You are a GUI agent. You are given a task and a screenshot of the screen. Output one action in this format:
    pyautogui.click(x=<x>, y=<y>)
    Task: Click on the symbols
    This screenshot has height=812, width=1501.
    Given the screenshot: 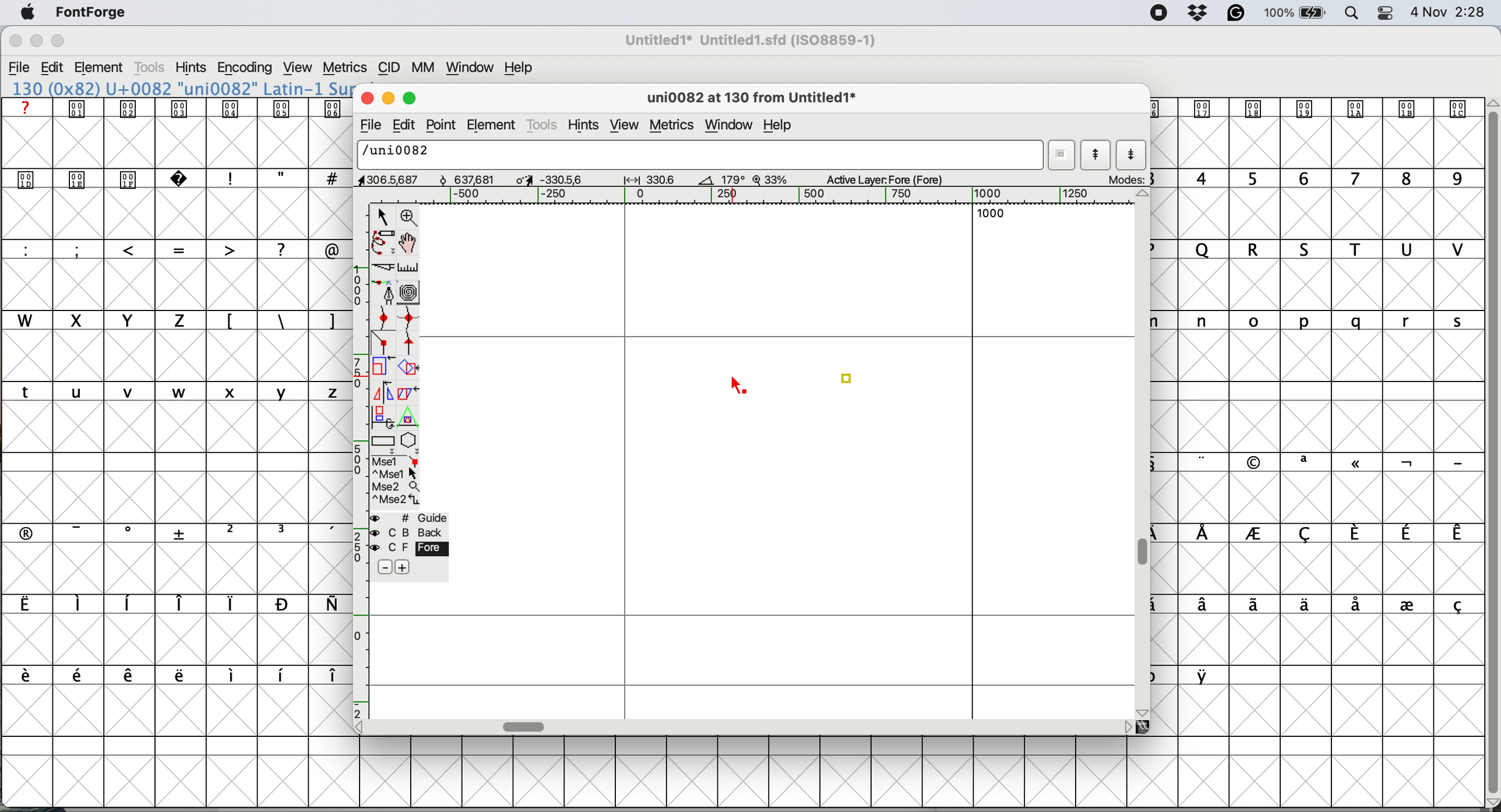 What is the action you would take?
    pyautogui.click(x=1325, y=606)
    